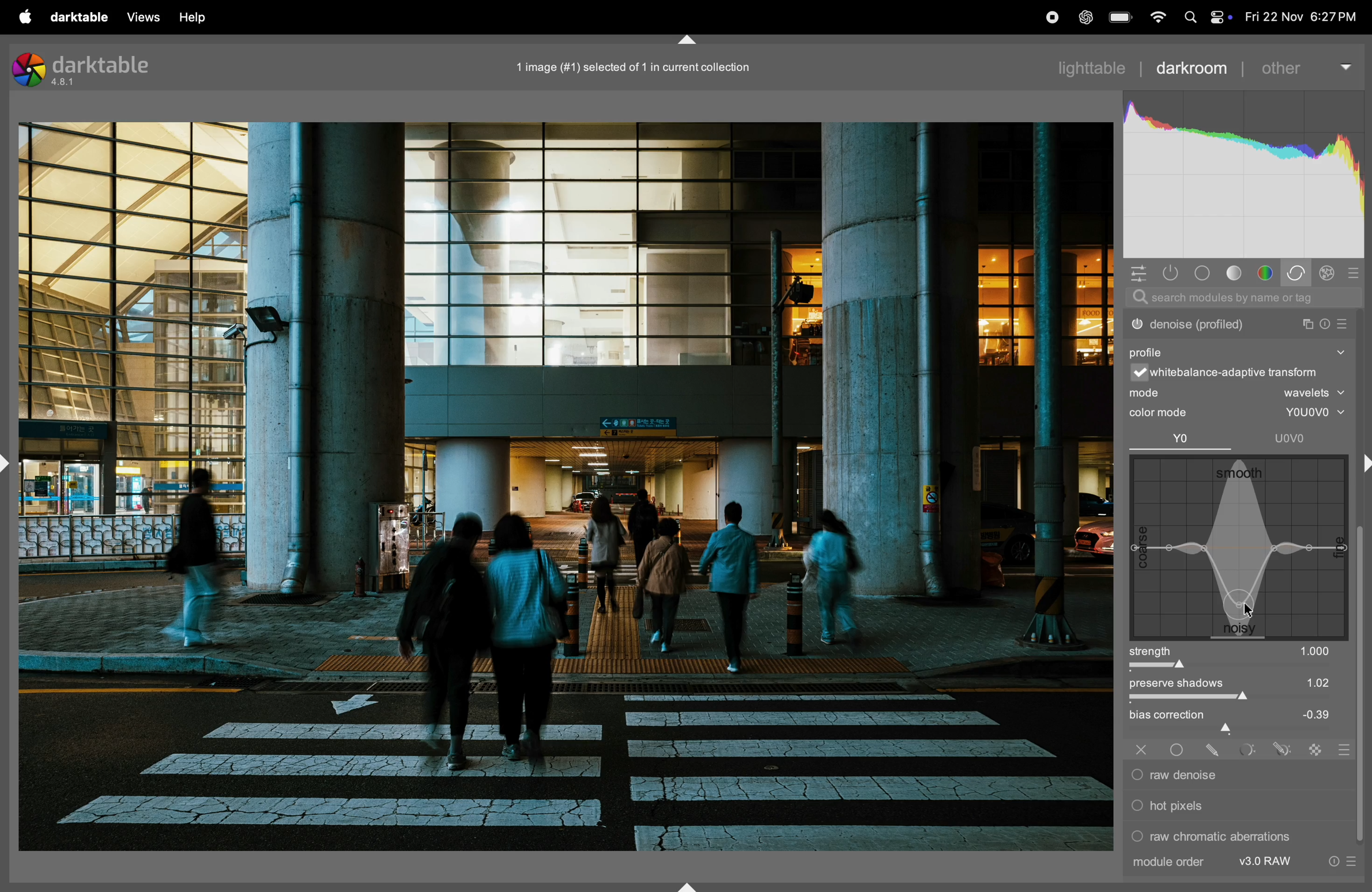 Image resolution: width=1372 pixels, height=892 pixels. I want to click on raw denoise, so click(1233, 776).